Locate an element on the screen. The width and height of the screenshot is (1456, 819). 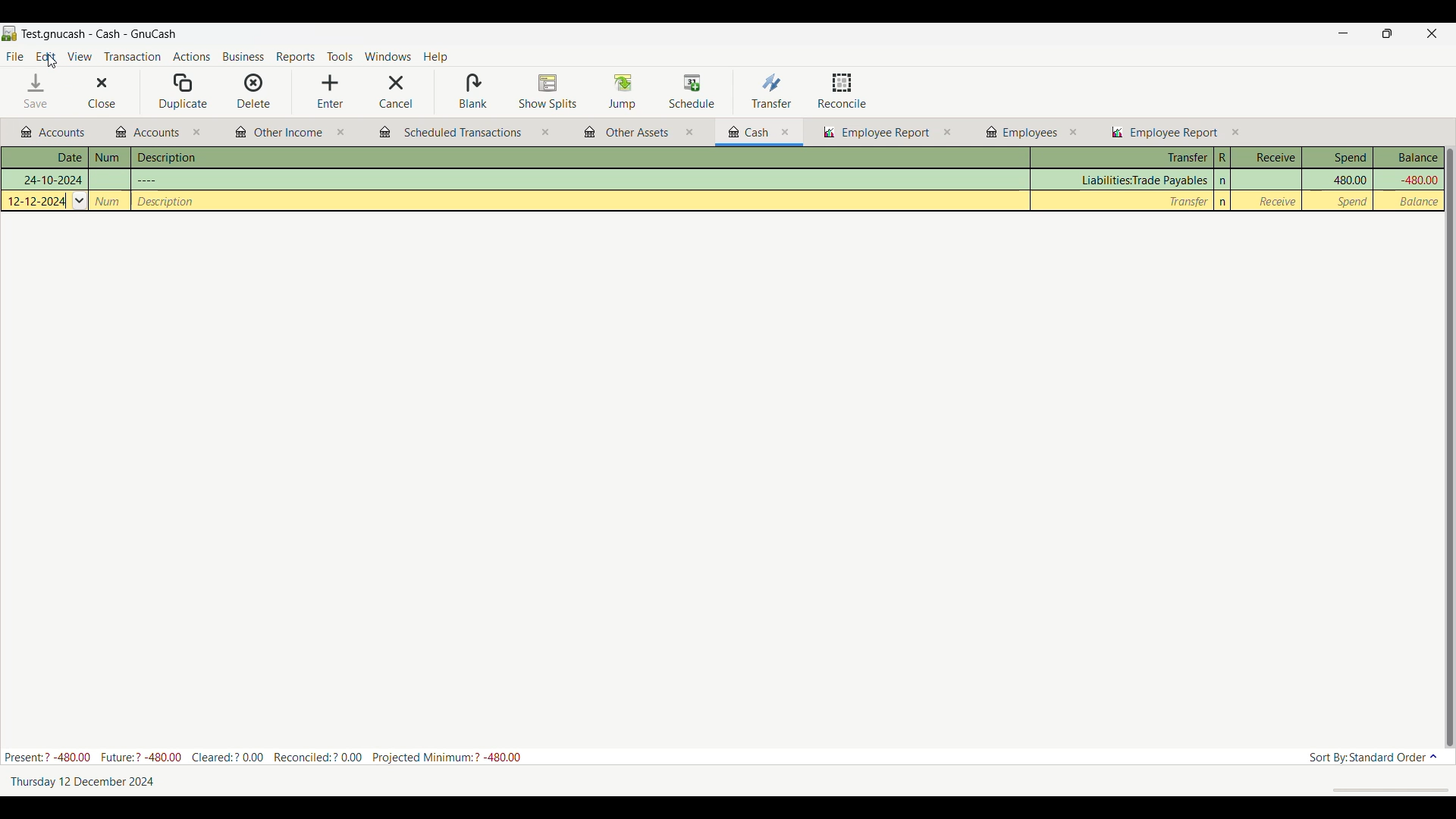
Close is located at coordinates (101, 92).